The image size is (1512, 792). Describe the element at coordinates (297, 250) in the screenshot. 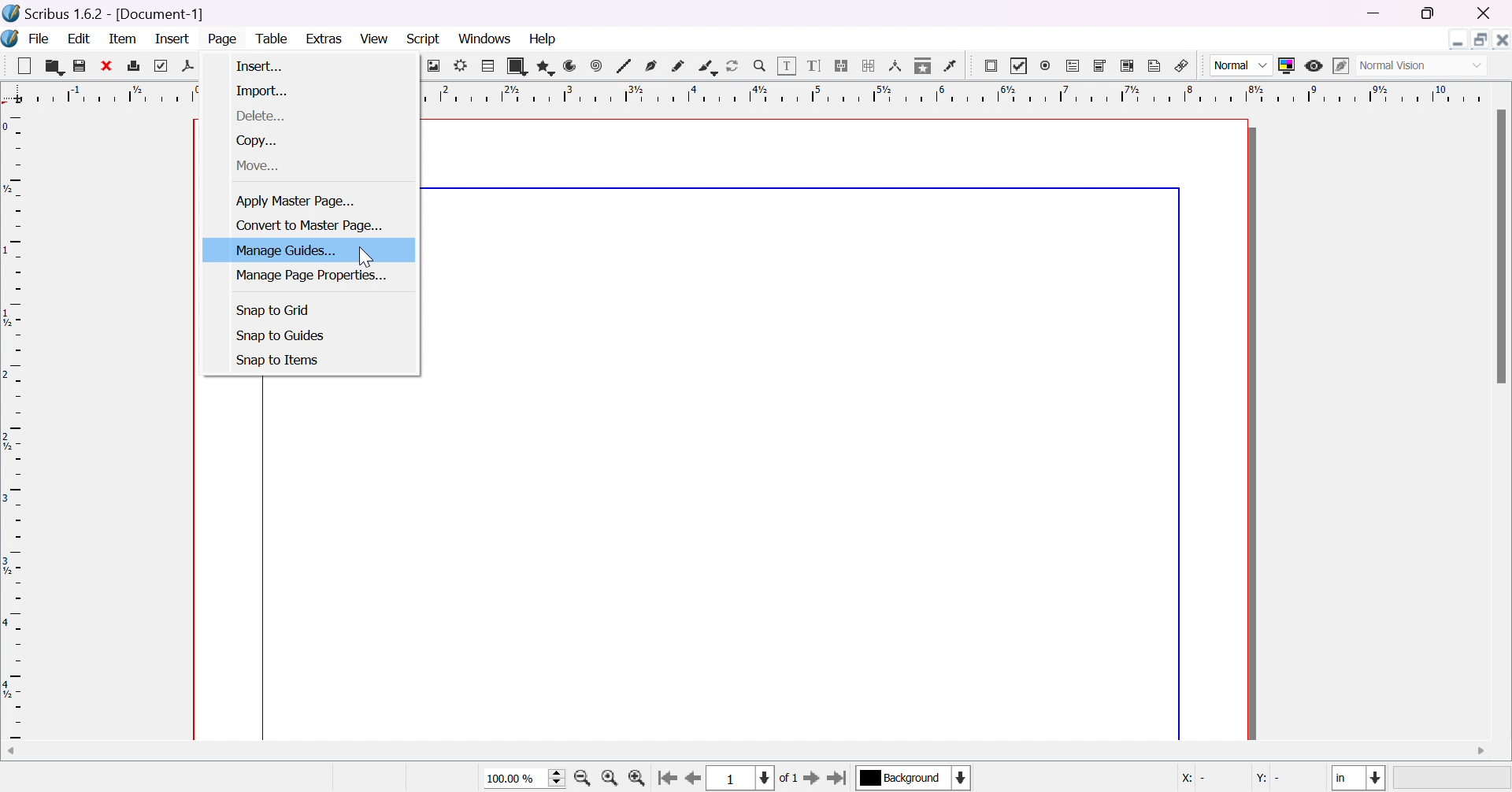

I see `manage guides` at that location.